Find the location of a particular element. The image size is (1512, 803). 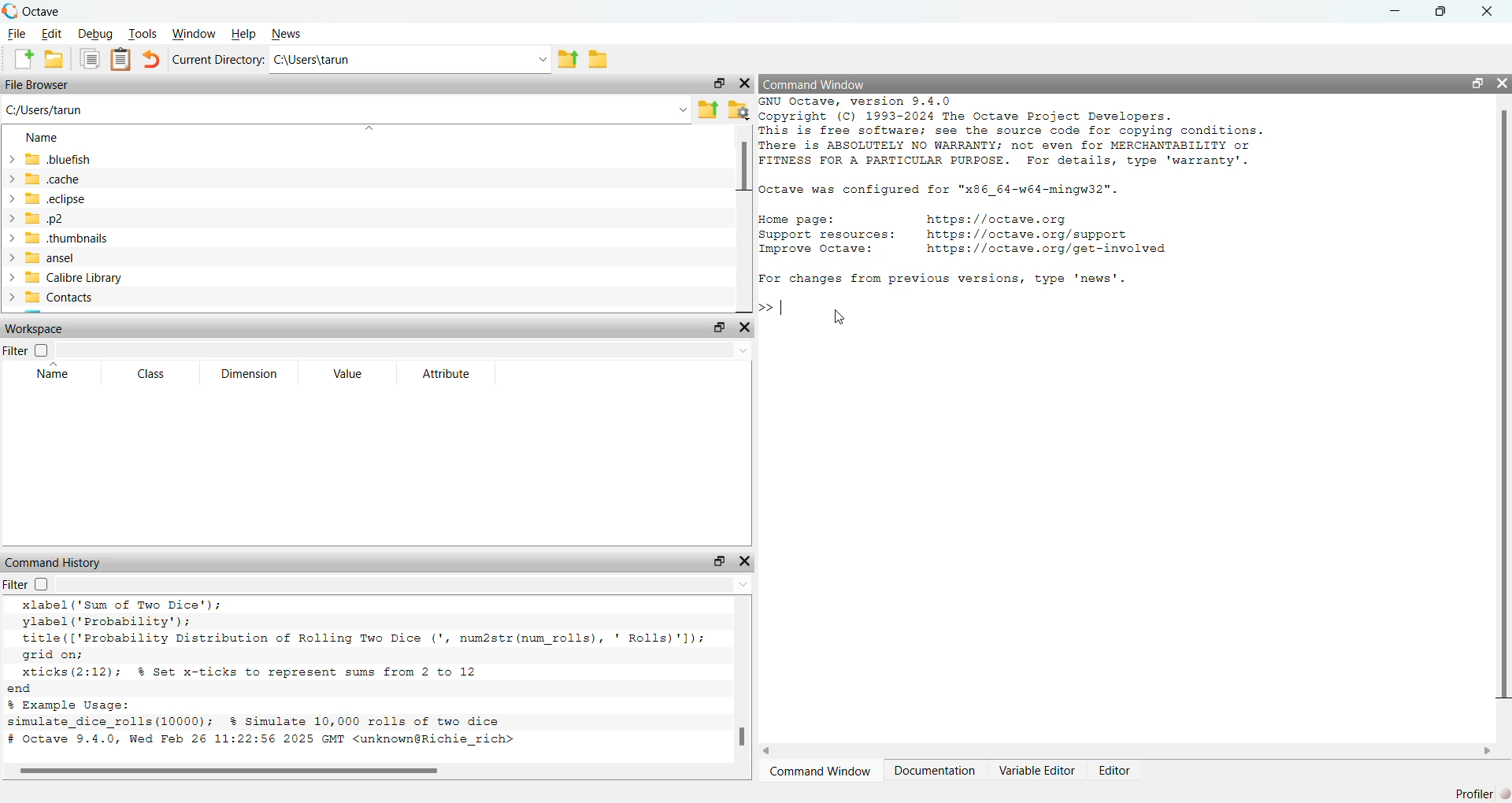

Maximize is located at coordinates (720, 82).